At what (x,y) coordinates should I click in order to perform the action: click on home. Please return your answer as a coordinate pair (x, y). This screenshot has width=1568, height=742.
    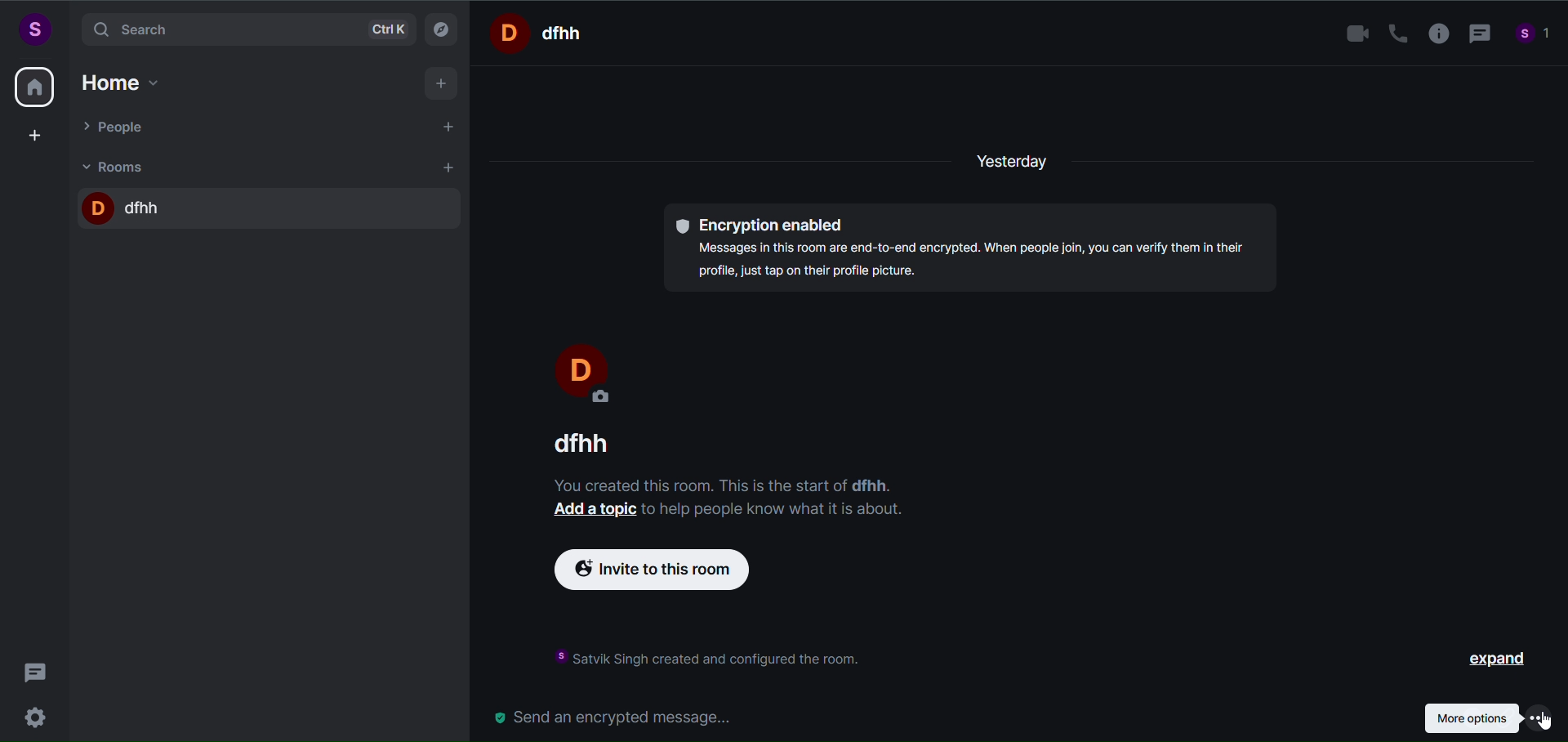
    Looking at the image, I should click on (34, 87).